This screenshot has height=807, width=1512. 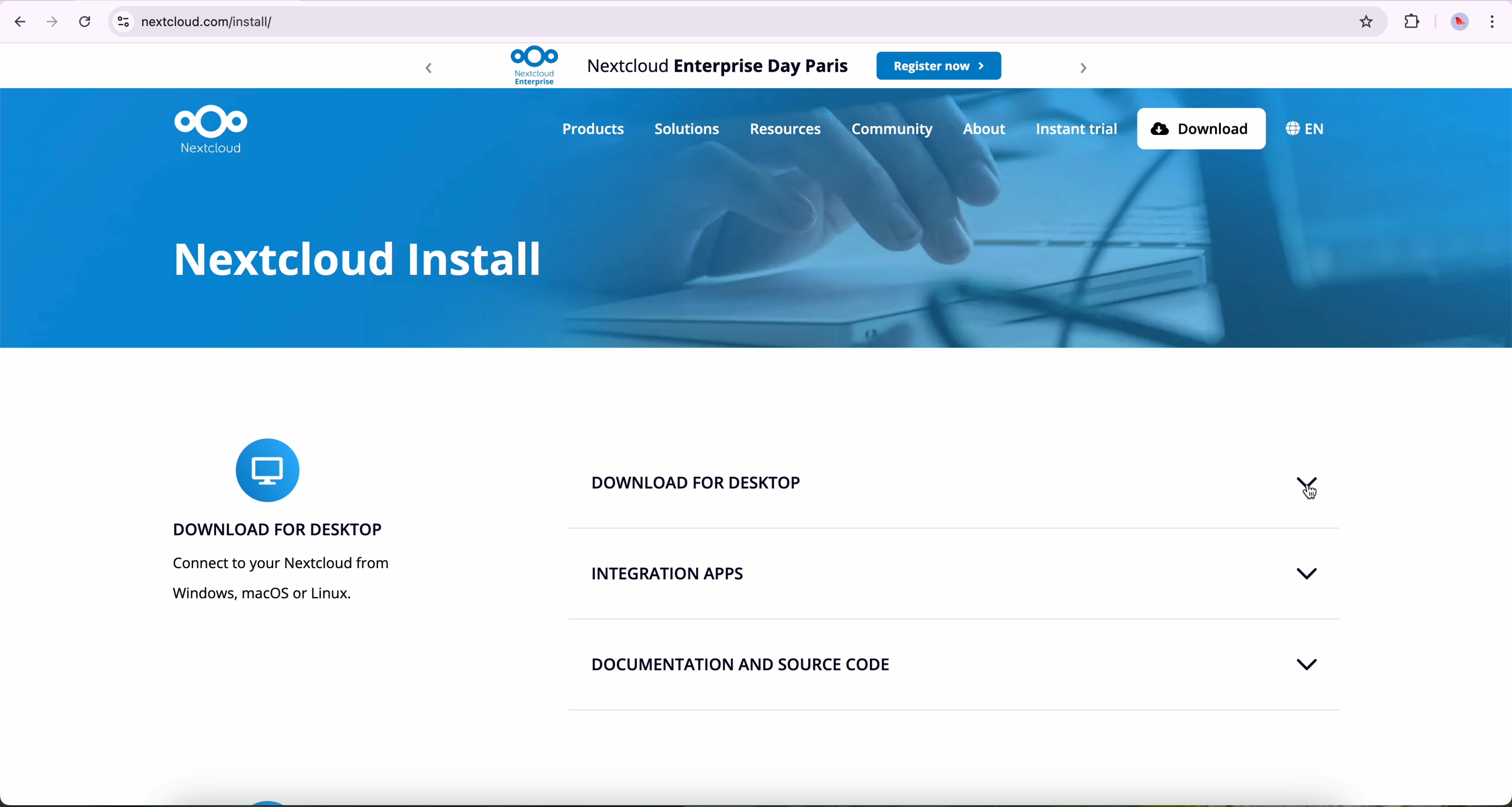 What do you see at coordinates (1306, 131) in the screenshot?
I see `language` at bounding box center [1306, 131].